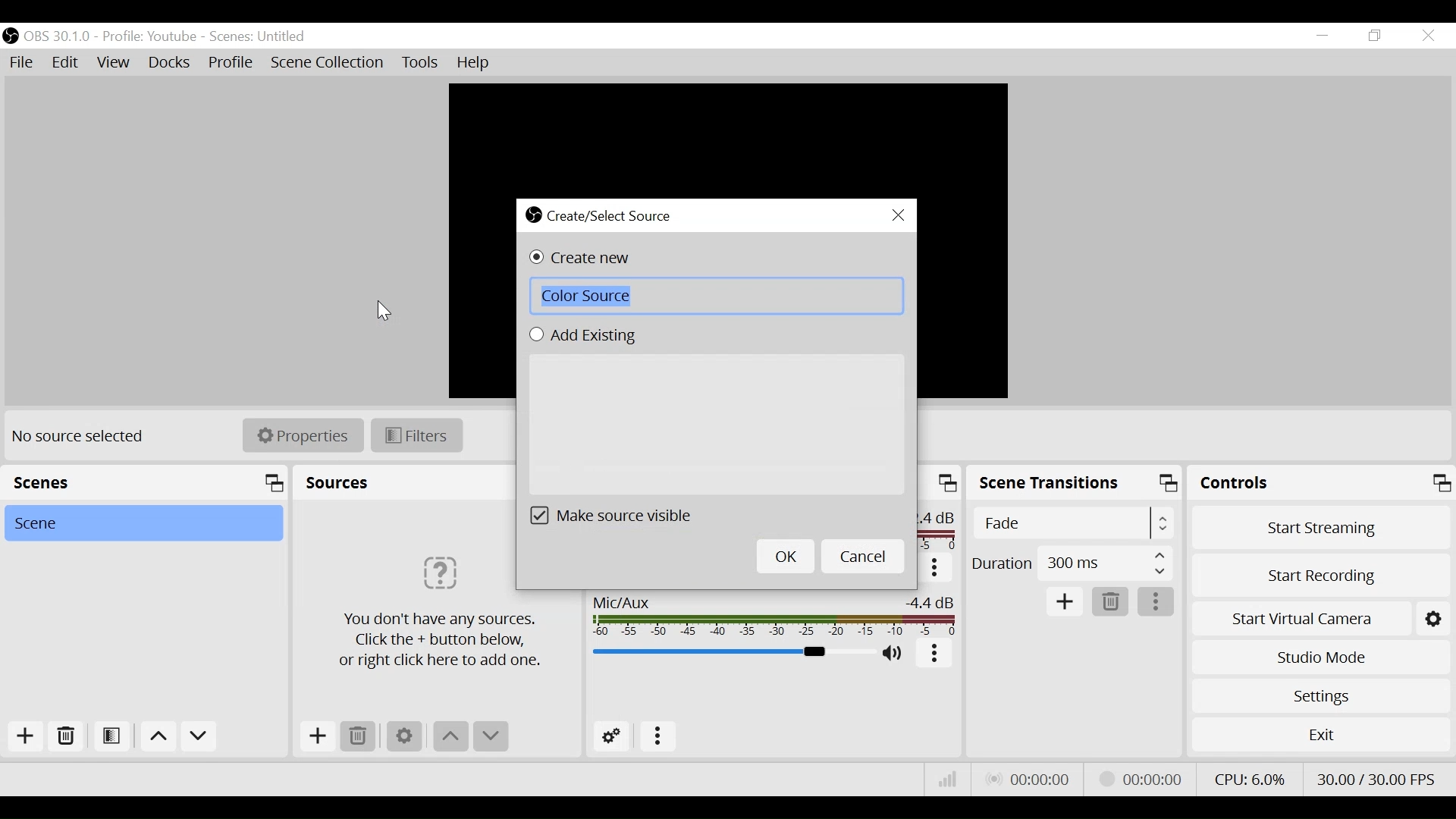 The image size is (1456, 819). What do you see at coordinates (418, 62) in the screenshot?
I see `Tools` at bounding box center [418, 62].